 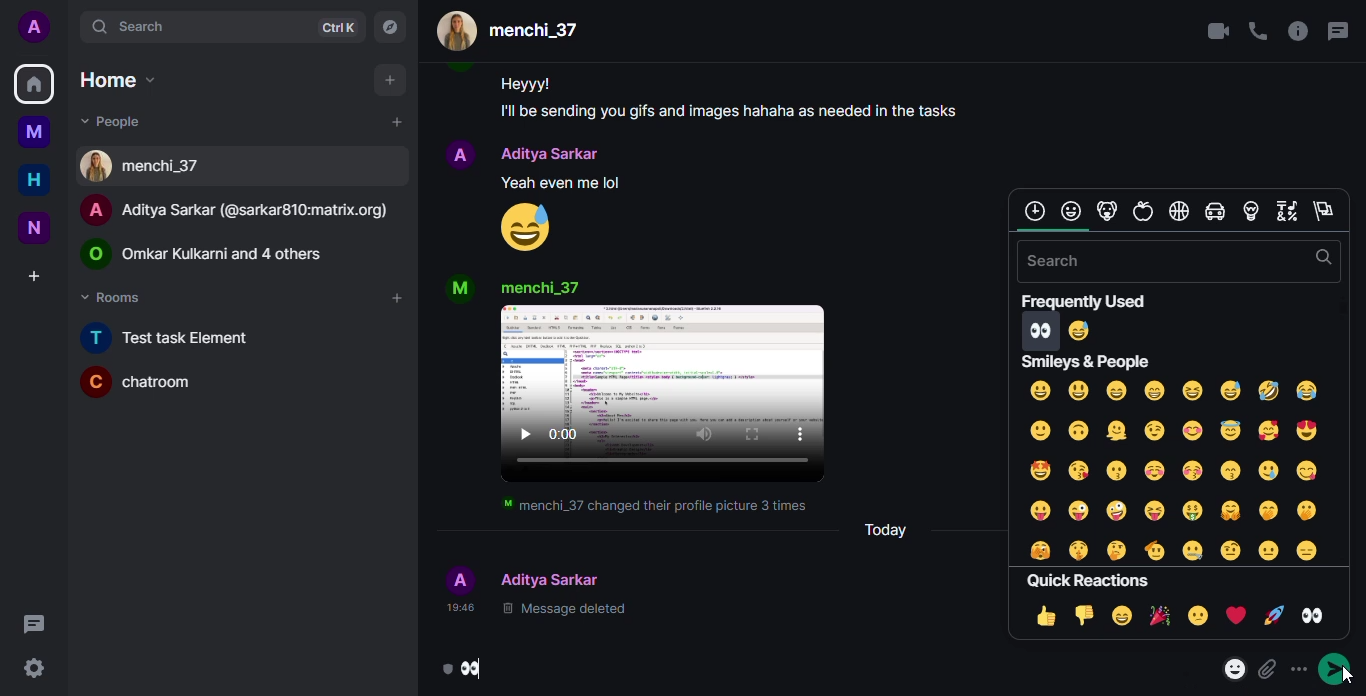 I want to click on smiley, so click(x=1079, y=331).